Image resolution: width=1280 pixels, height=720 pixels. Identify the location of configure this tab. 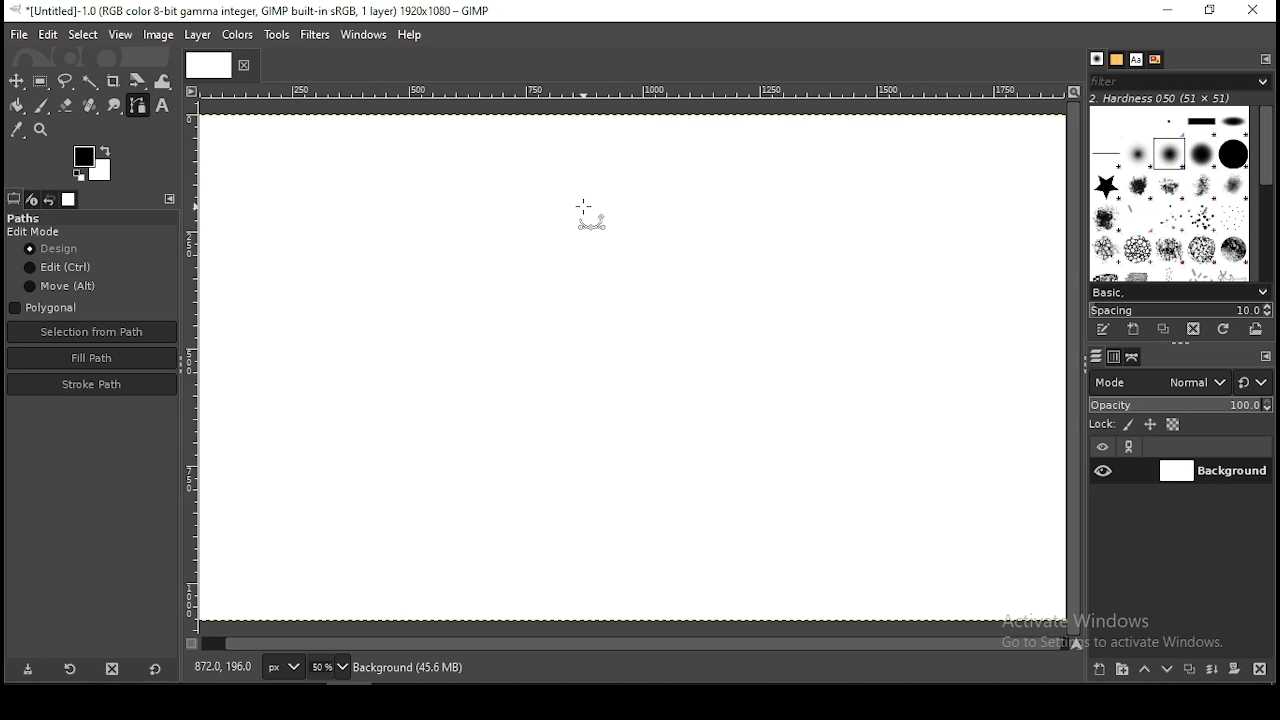
(1268, 356).